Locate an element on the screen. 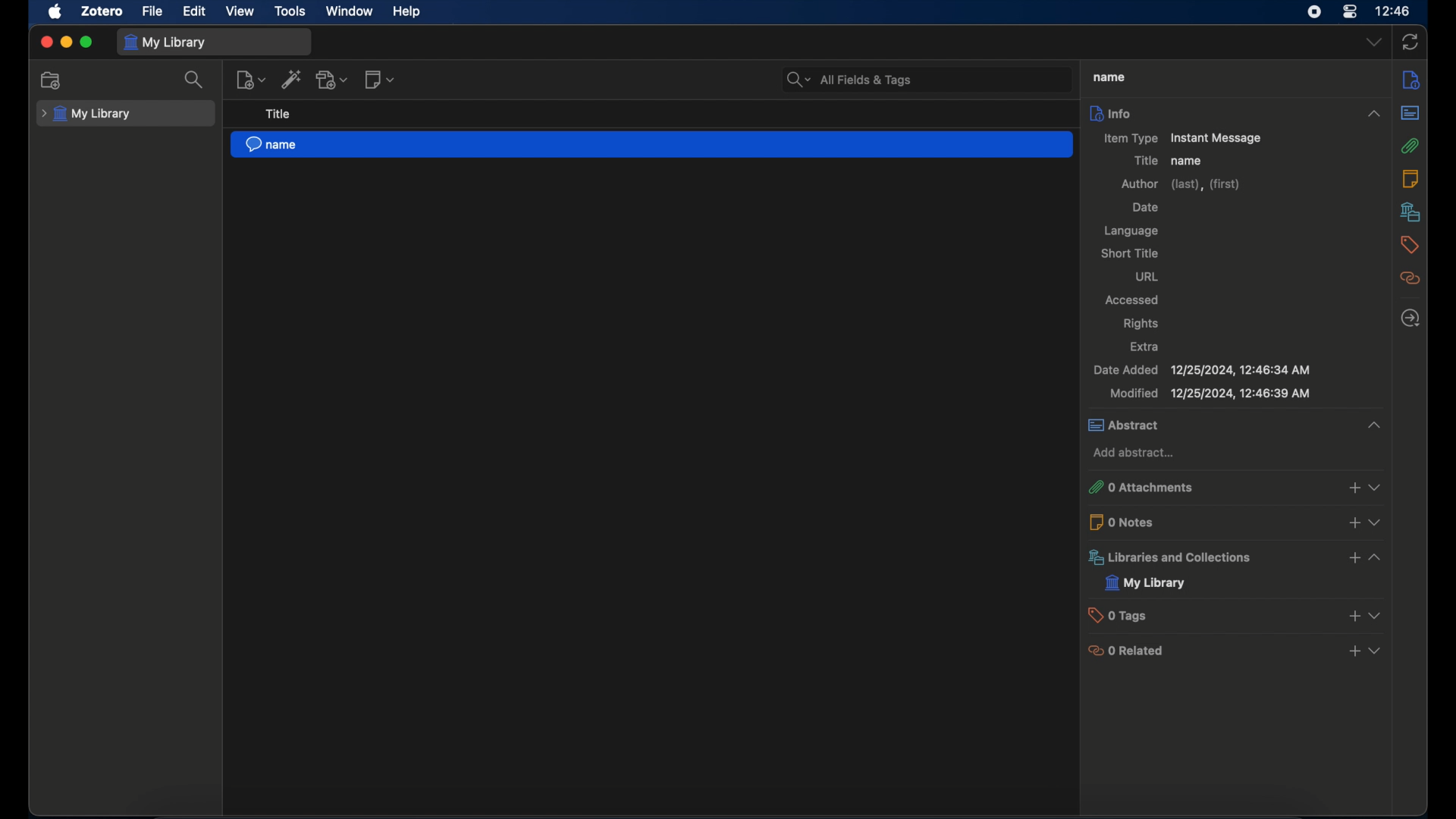 The image size is (1456, 819). locate is located at coordinates (1410, 317).